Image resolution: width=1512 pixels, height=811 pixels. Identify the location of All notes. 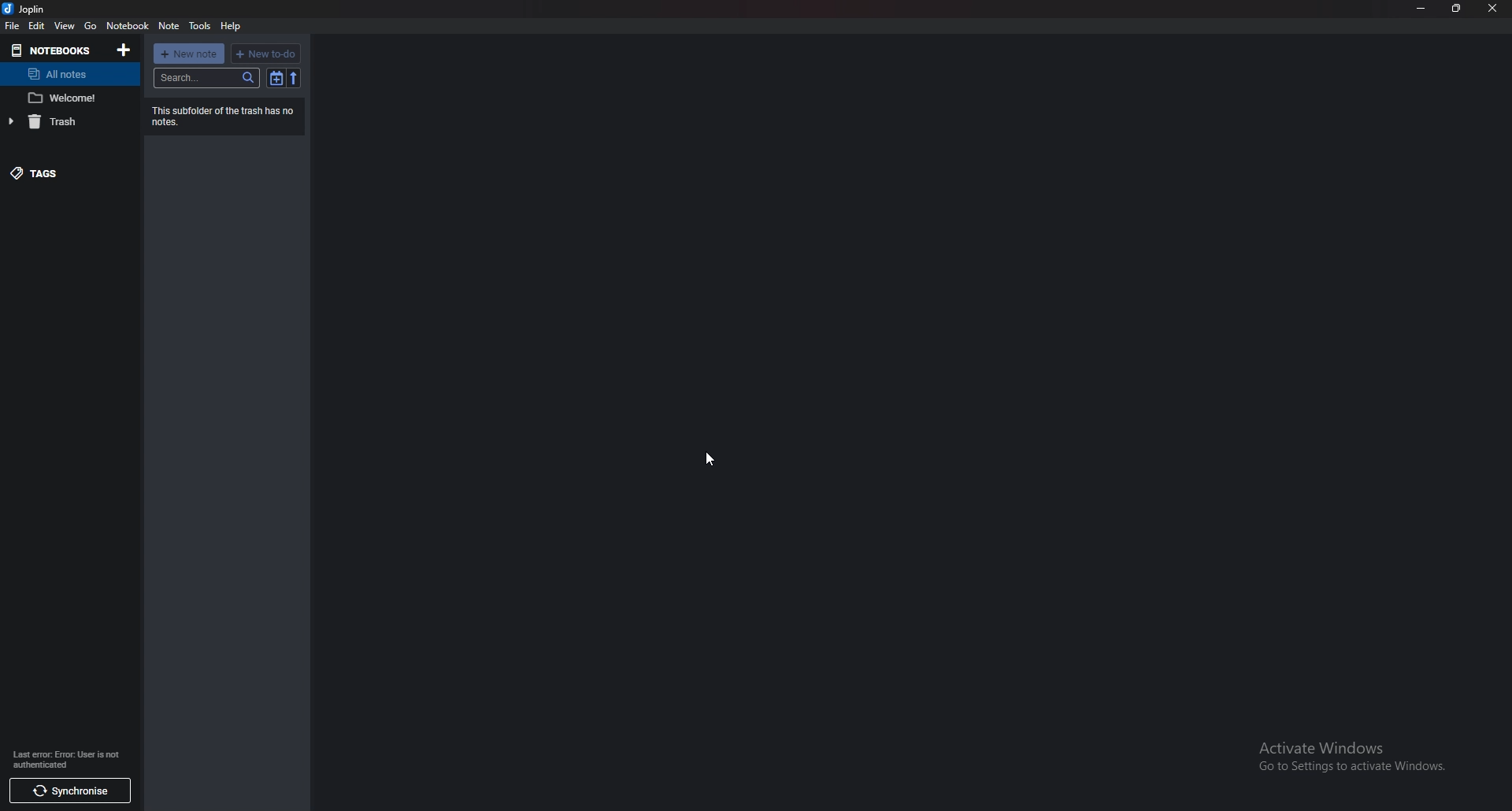
(67, 74).